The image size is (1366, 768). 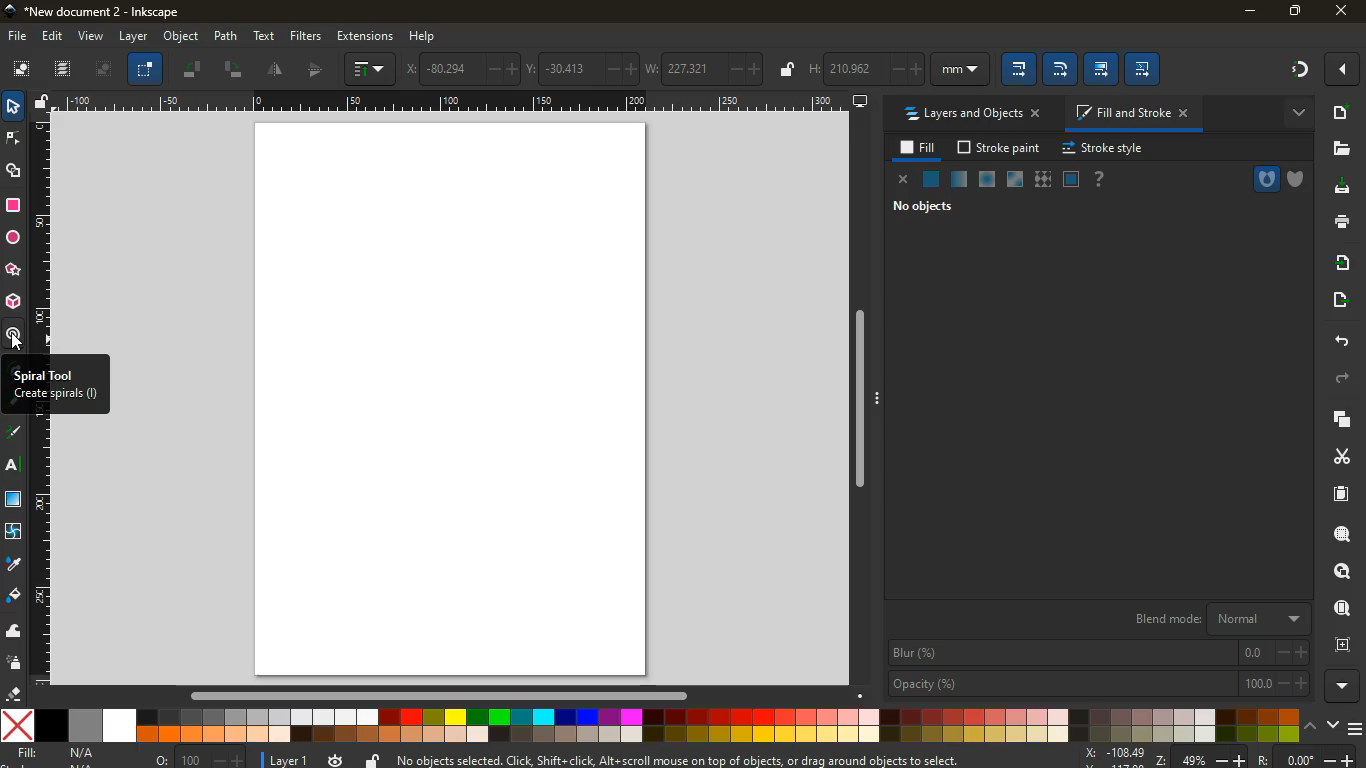 I want to click on wave, so click(x=14, y=631).